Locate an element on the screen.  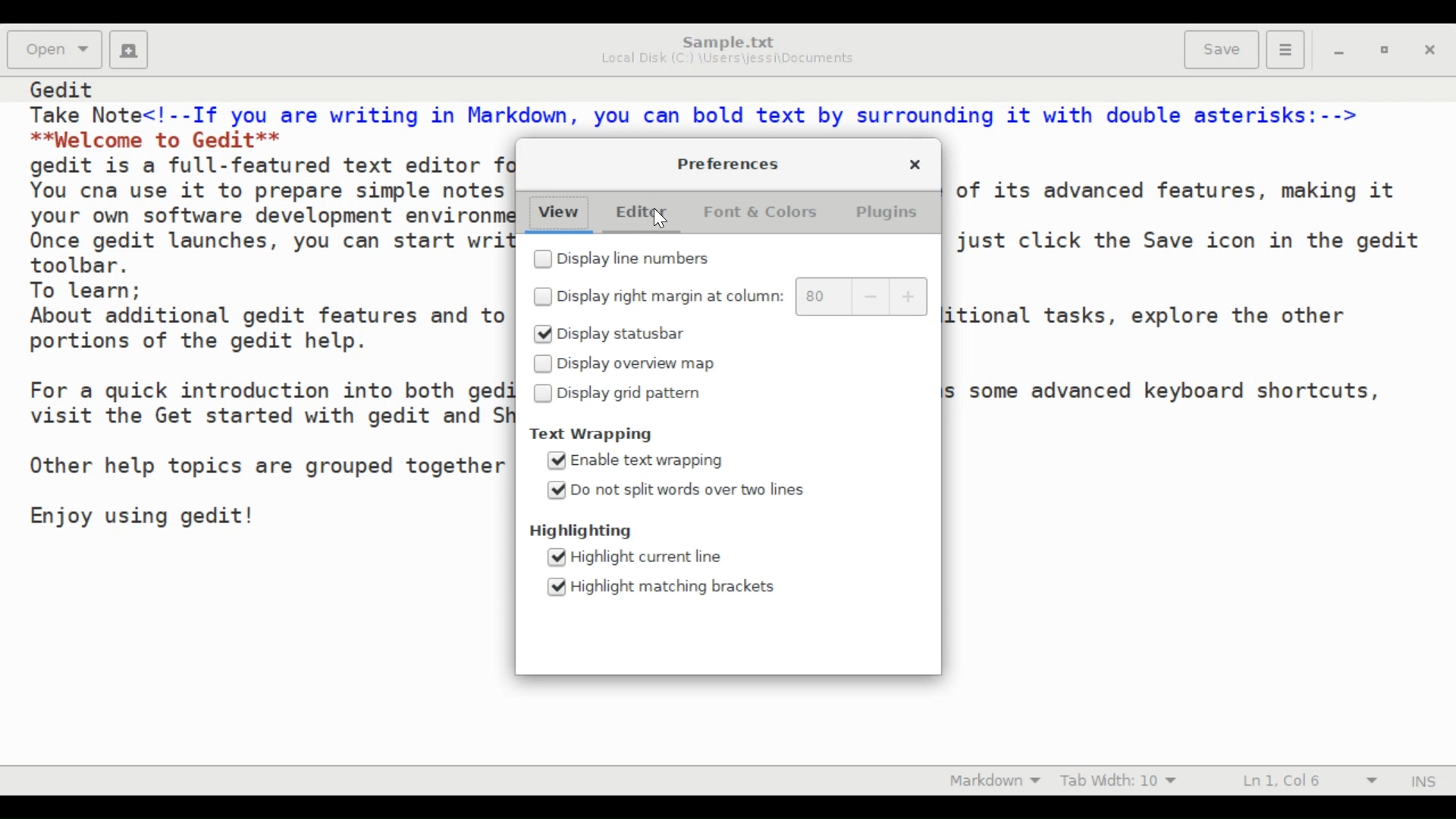
Highlight Mode: Markdown is located at coordinates (1000, 780).